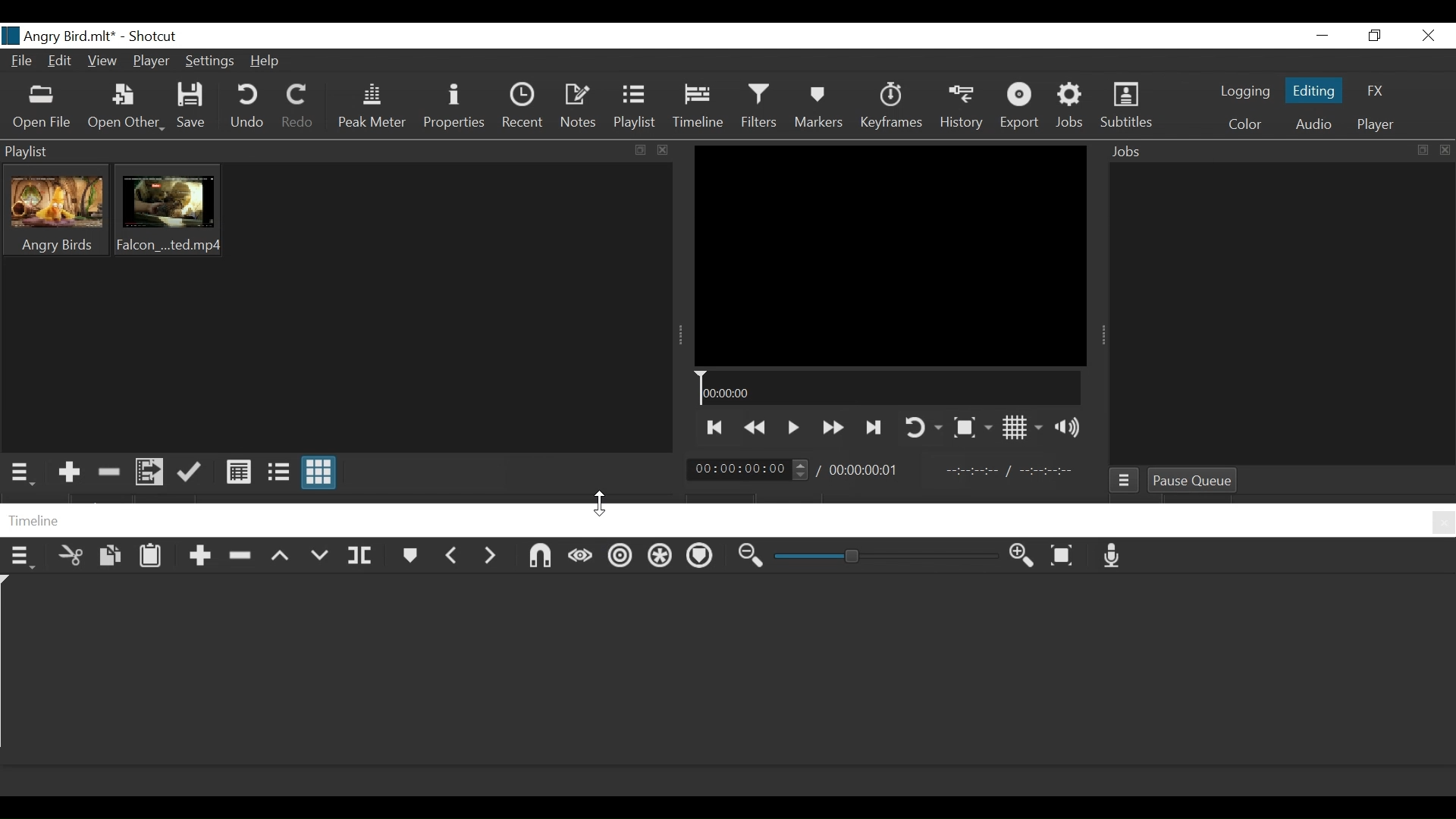 This screenshot has width=1456, height=819. I want to click on Scrub while dragging, so click(582, 560).